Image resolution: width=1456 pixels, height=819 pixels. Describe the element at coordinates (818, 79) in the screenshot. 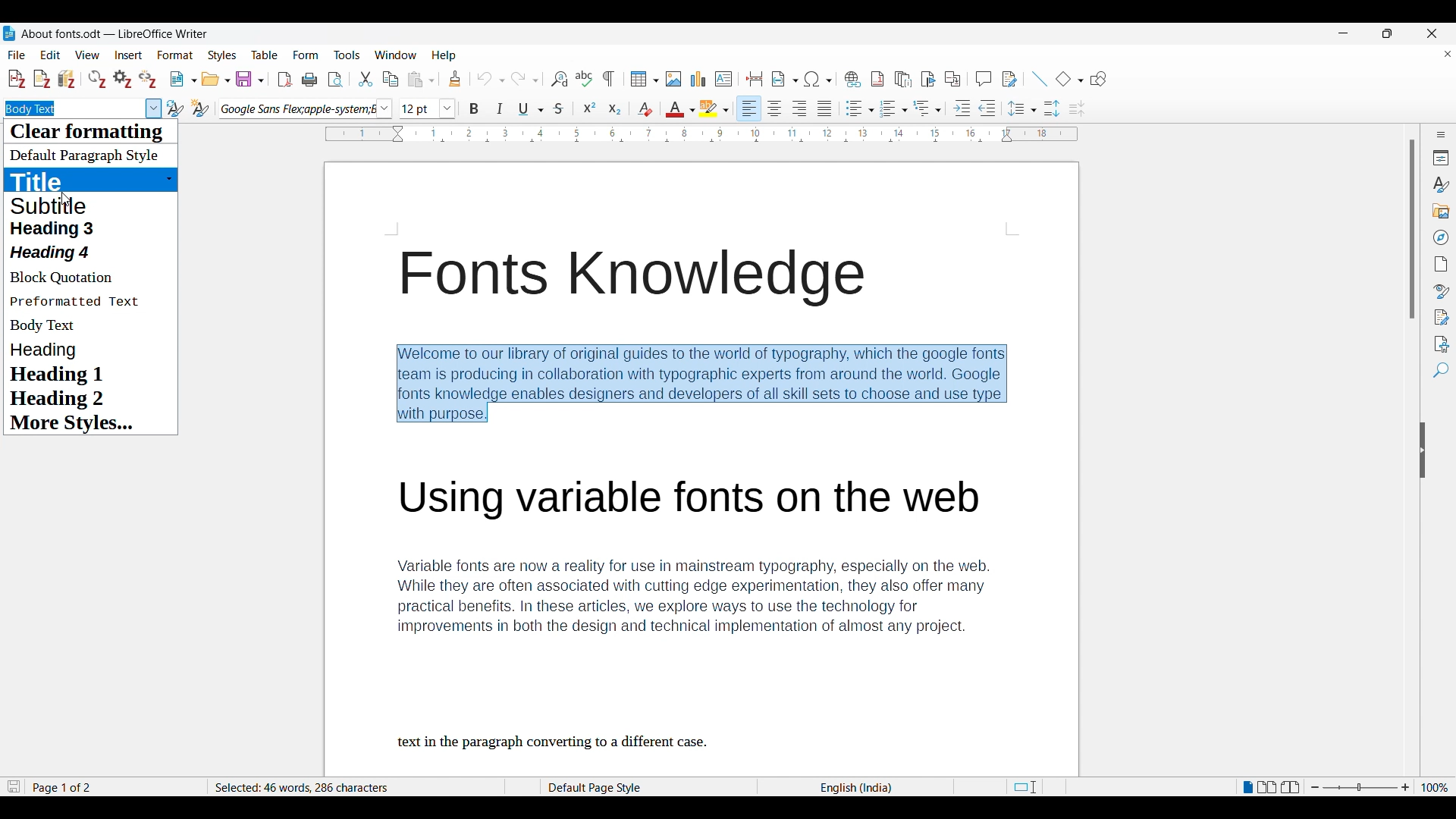

I see `Special character options` at that location.